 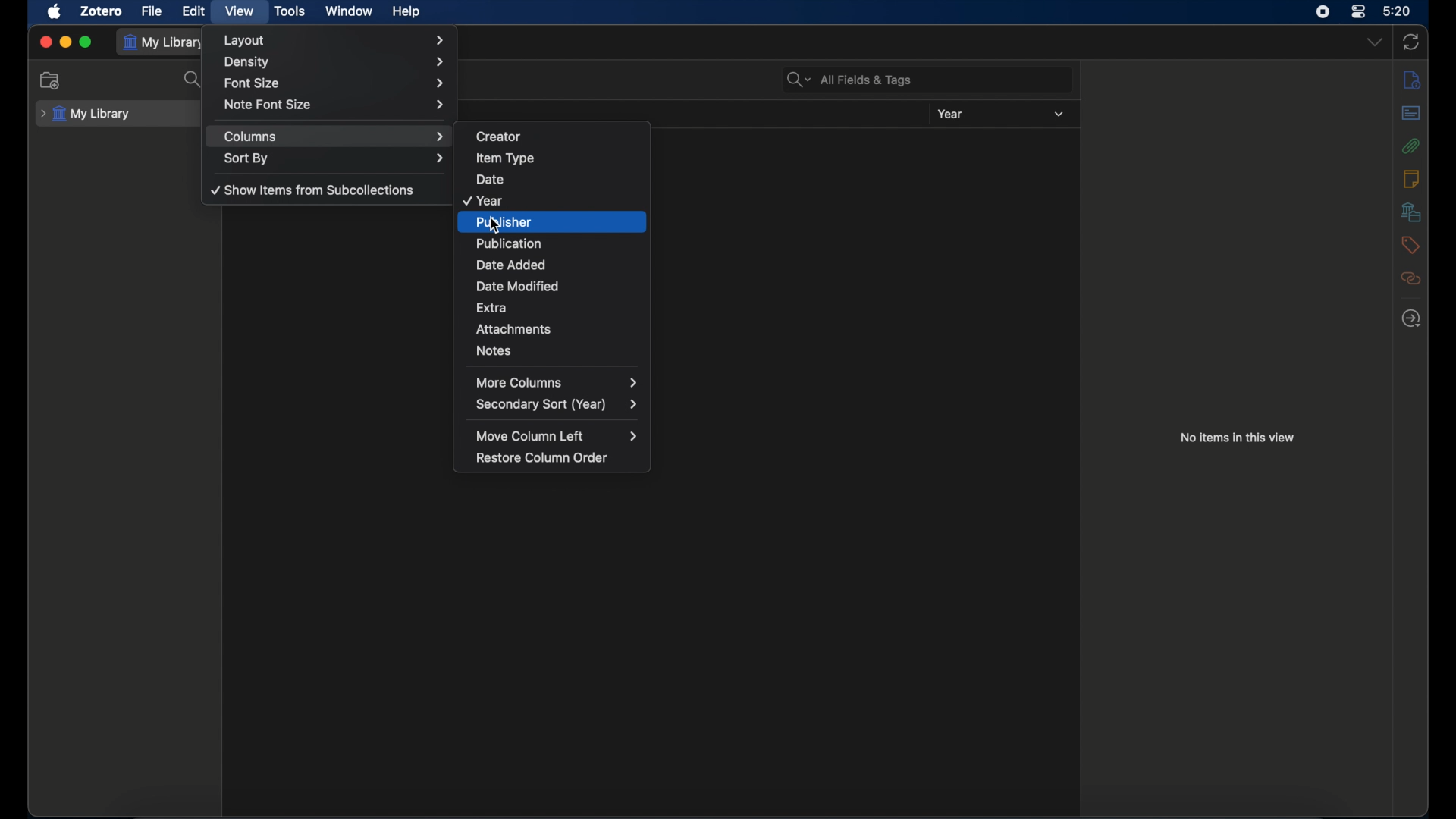 I want to click on note font size, so click(x=335, y=104).